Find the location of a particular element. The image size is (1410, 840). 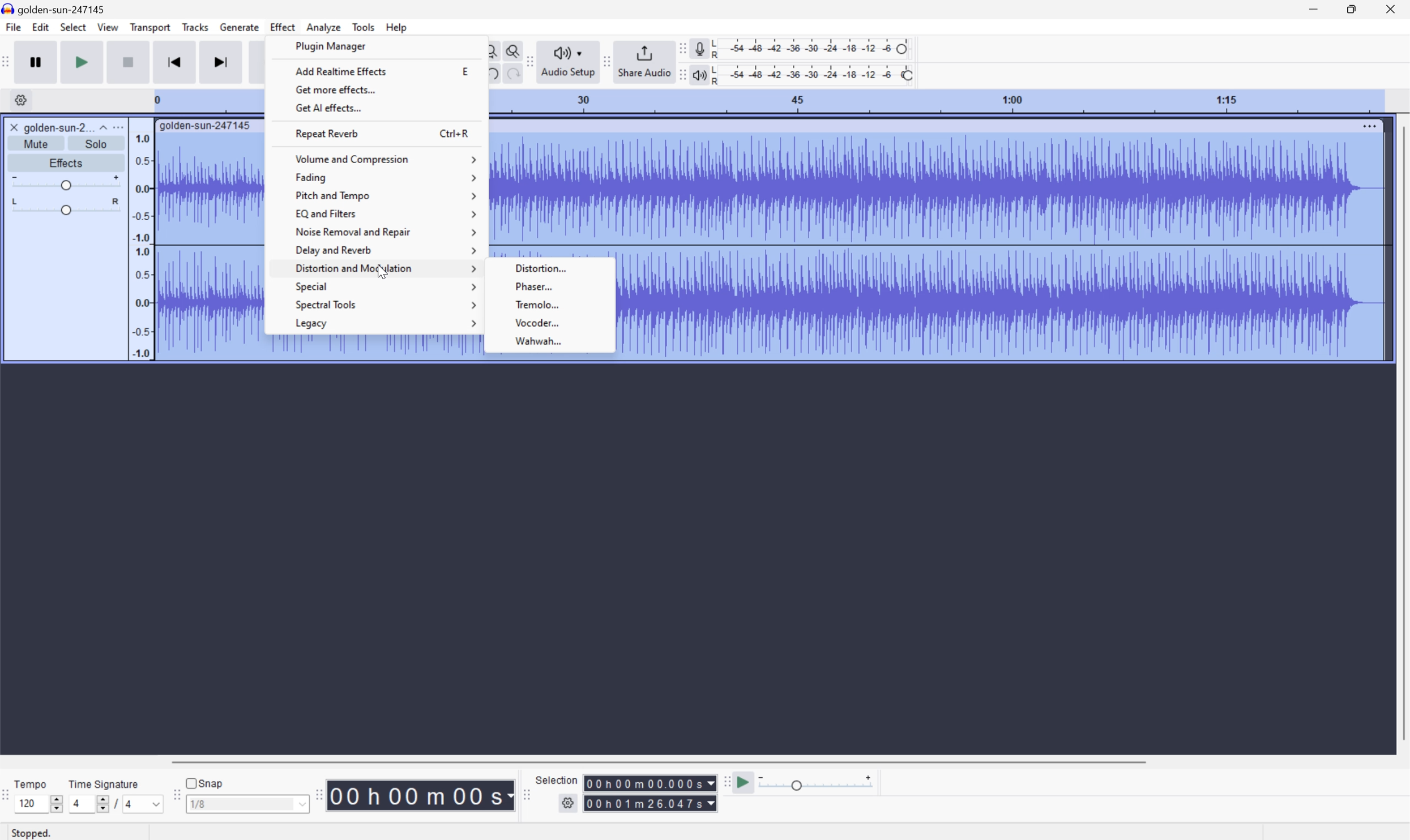

More is located at coordinates (1368, 125).